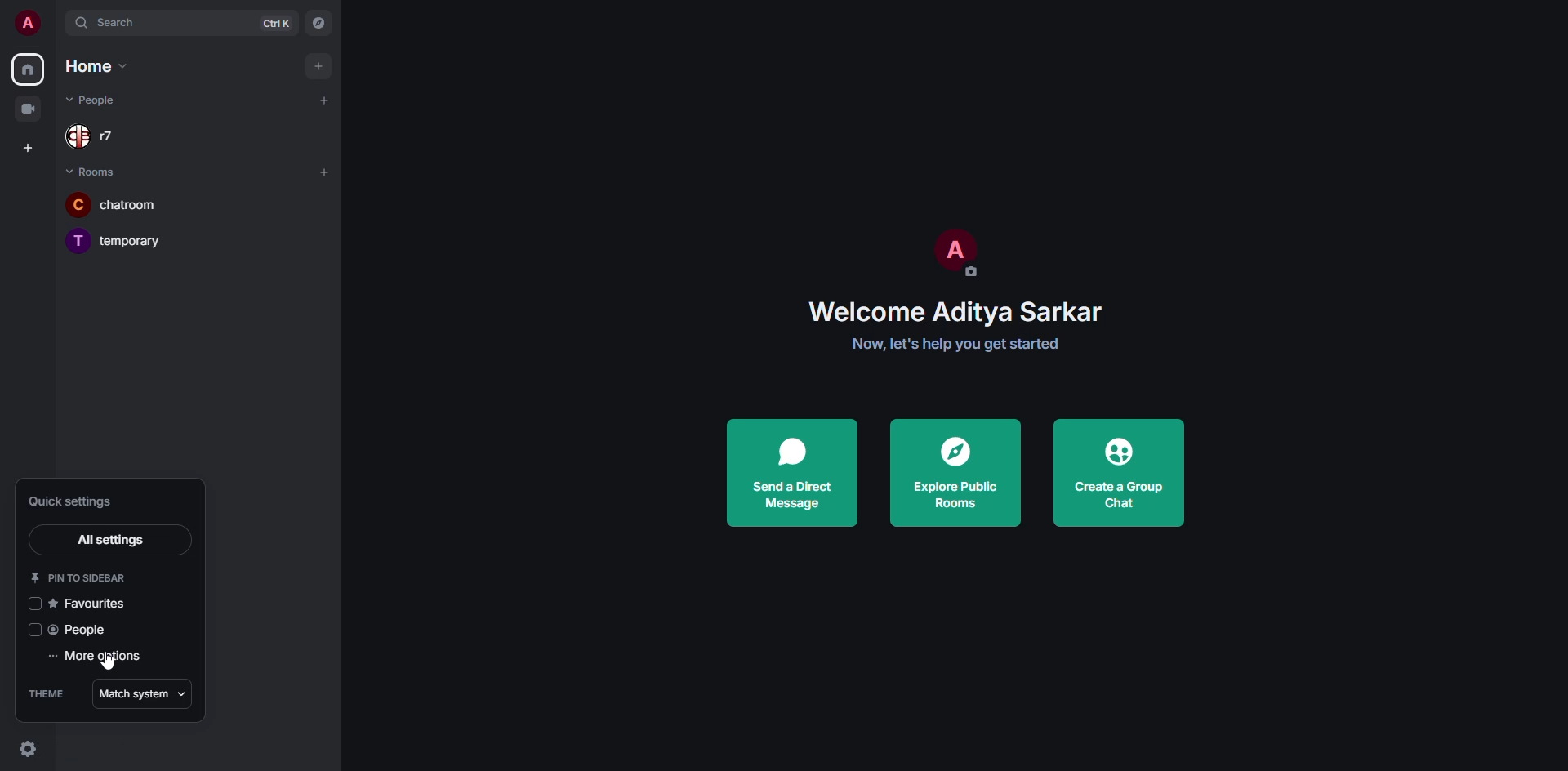 Image resolution: width=1568 pixels, height=771 pixels. I want to click on room, so click(111, 207).